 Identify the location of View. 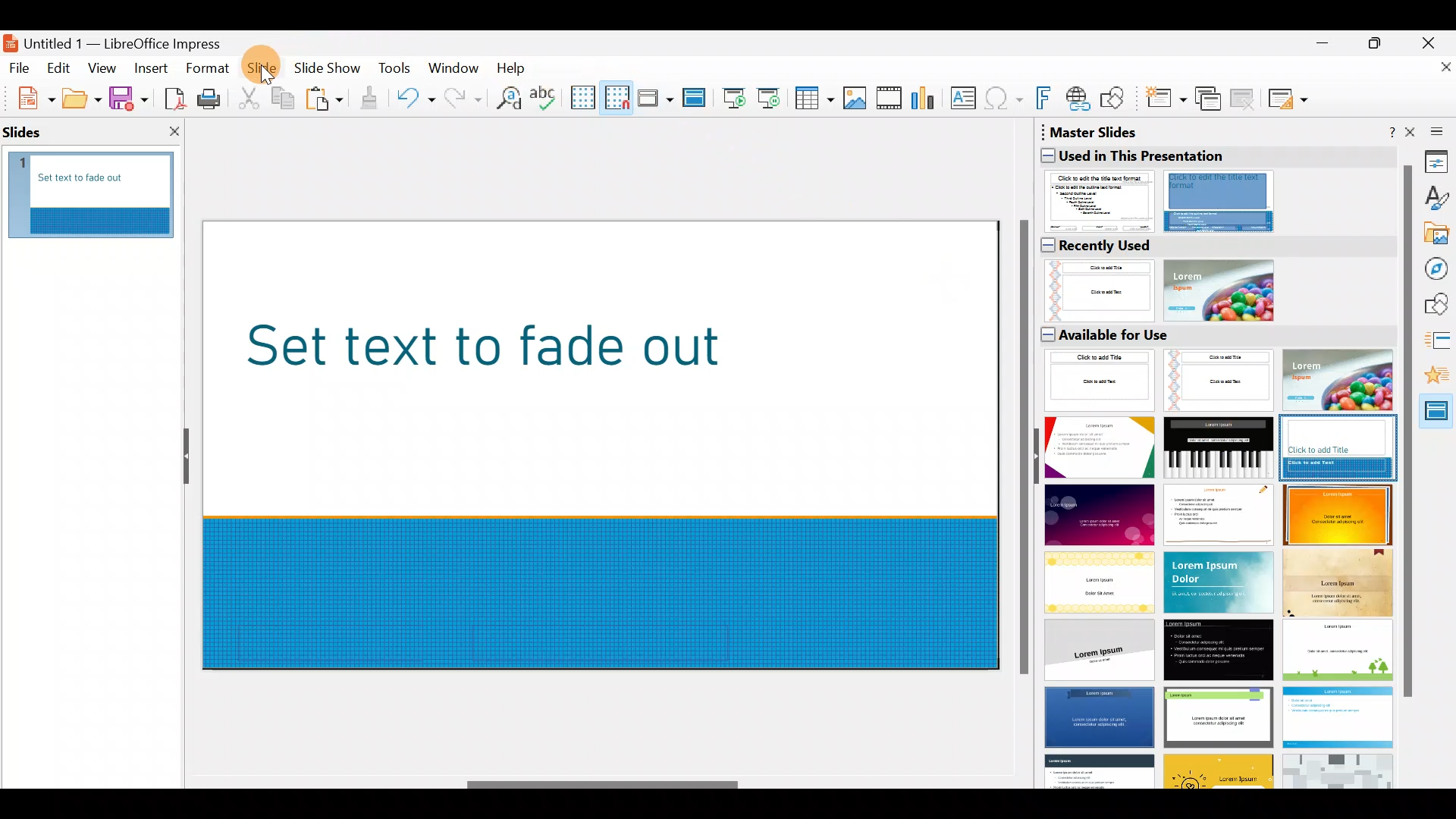
(103, 67).